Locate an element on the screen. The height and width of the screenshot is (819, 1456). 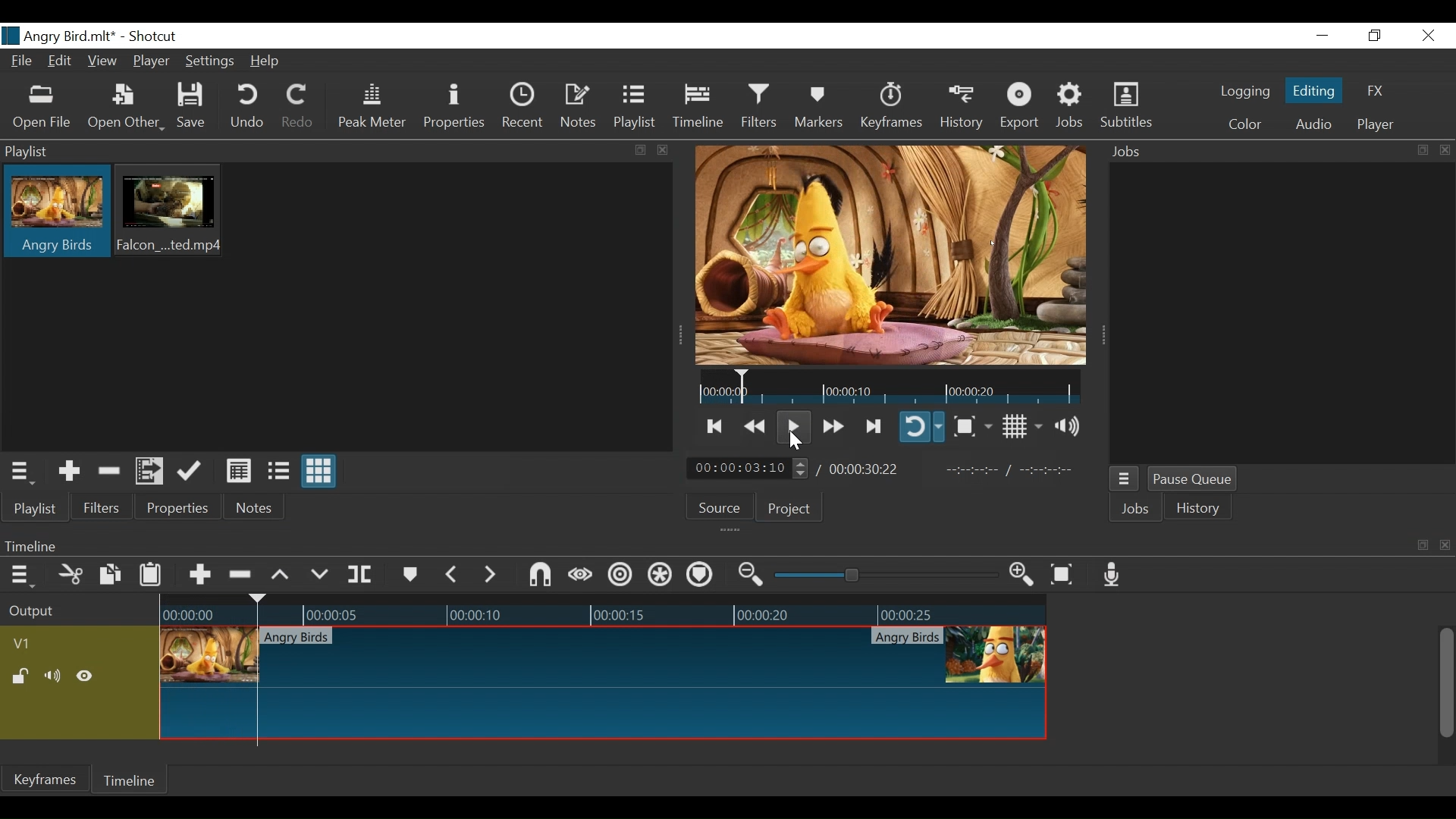
Pause Queue is located at coordinates (1193, 479).